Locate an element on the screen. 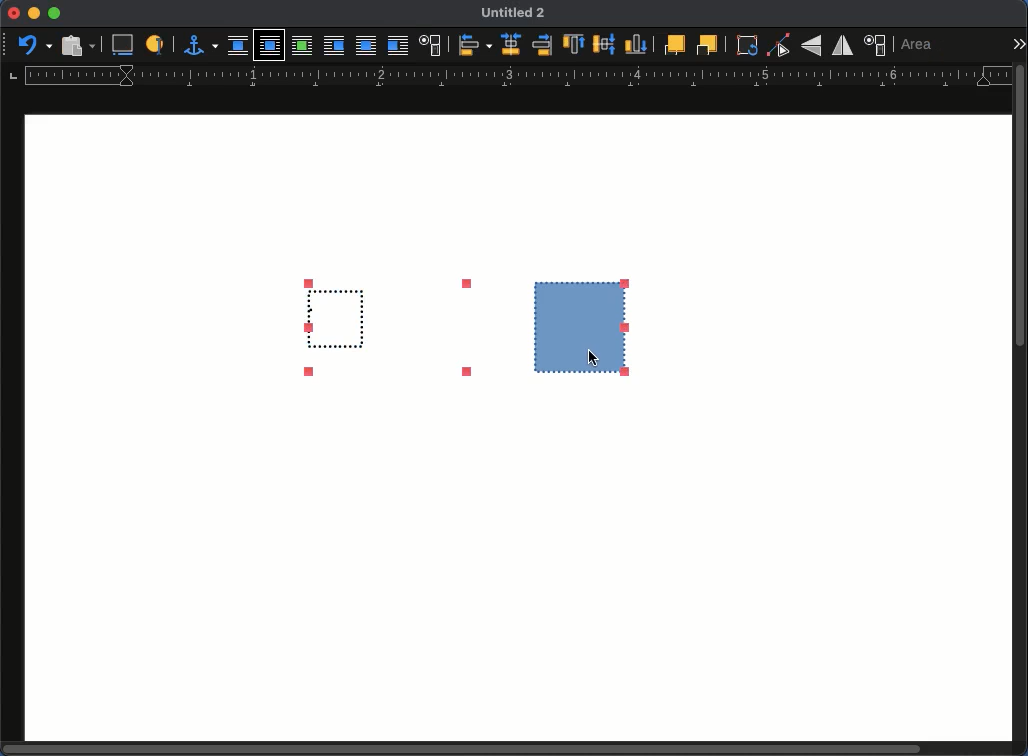 The width and height of the screenshot is (1028, 756). minimize is located at coordinates (34, 13).